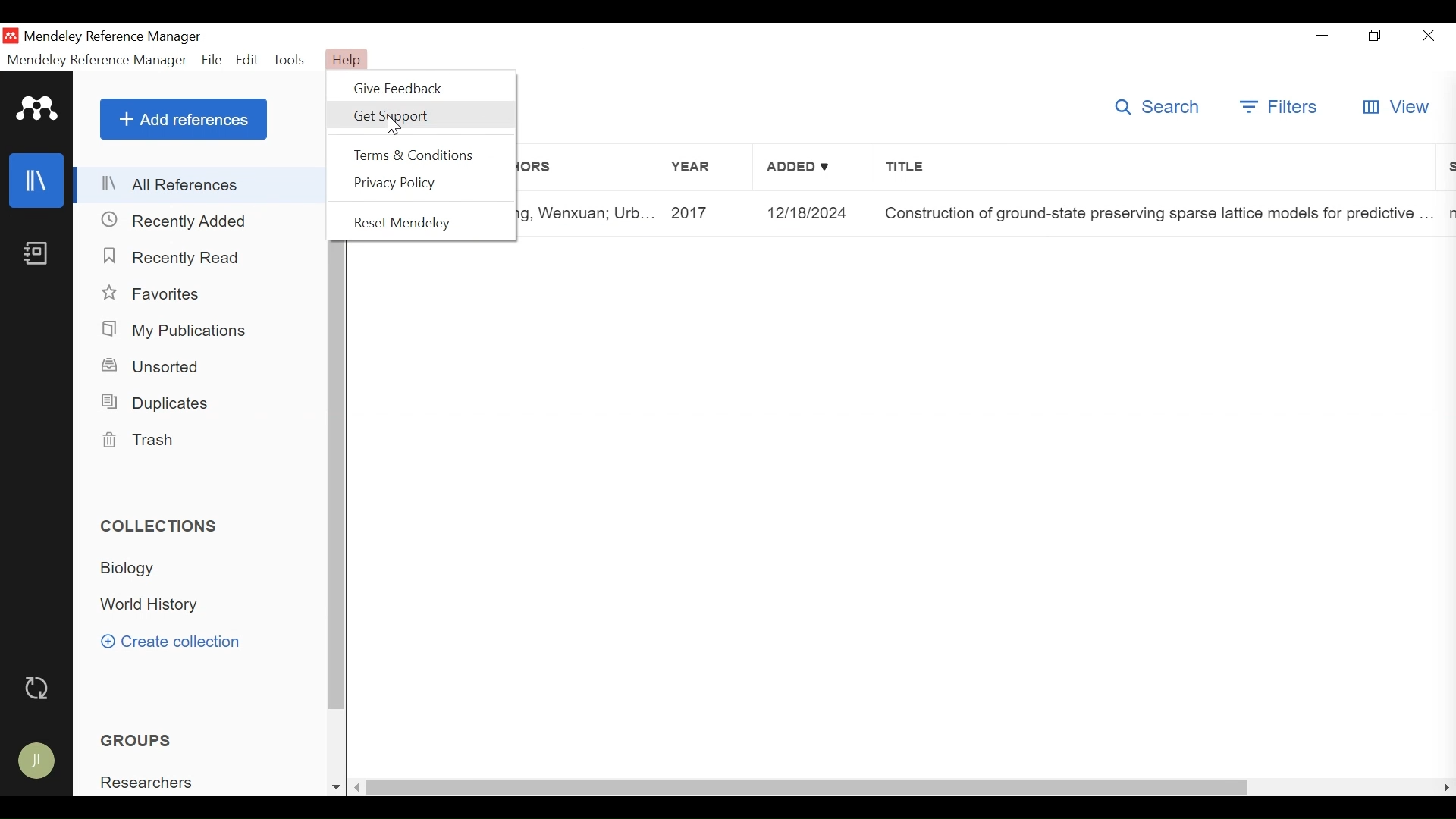  I want to click on Trash, so click(143, 439).